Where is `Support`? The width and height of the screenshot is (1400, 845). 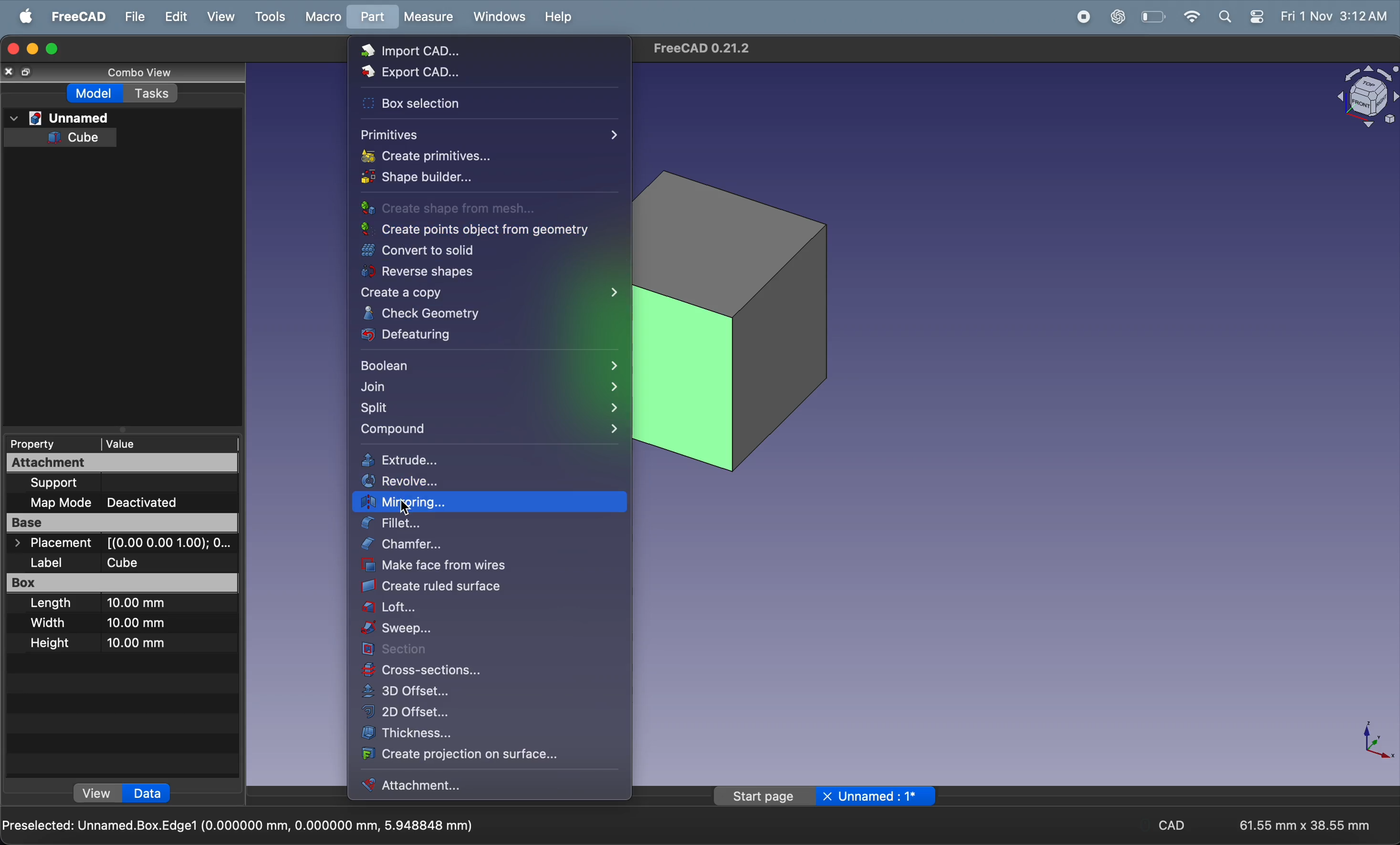
Support is located at coordinates (81, 483).